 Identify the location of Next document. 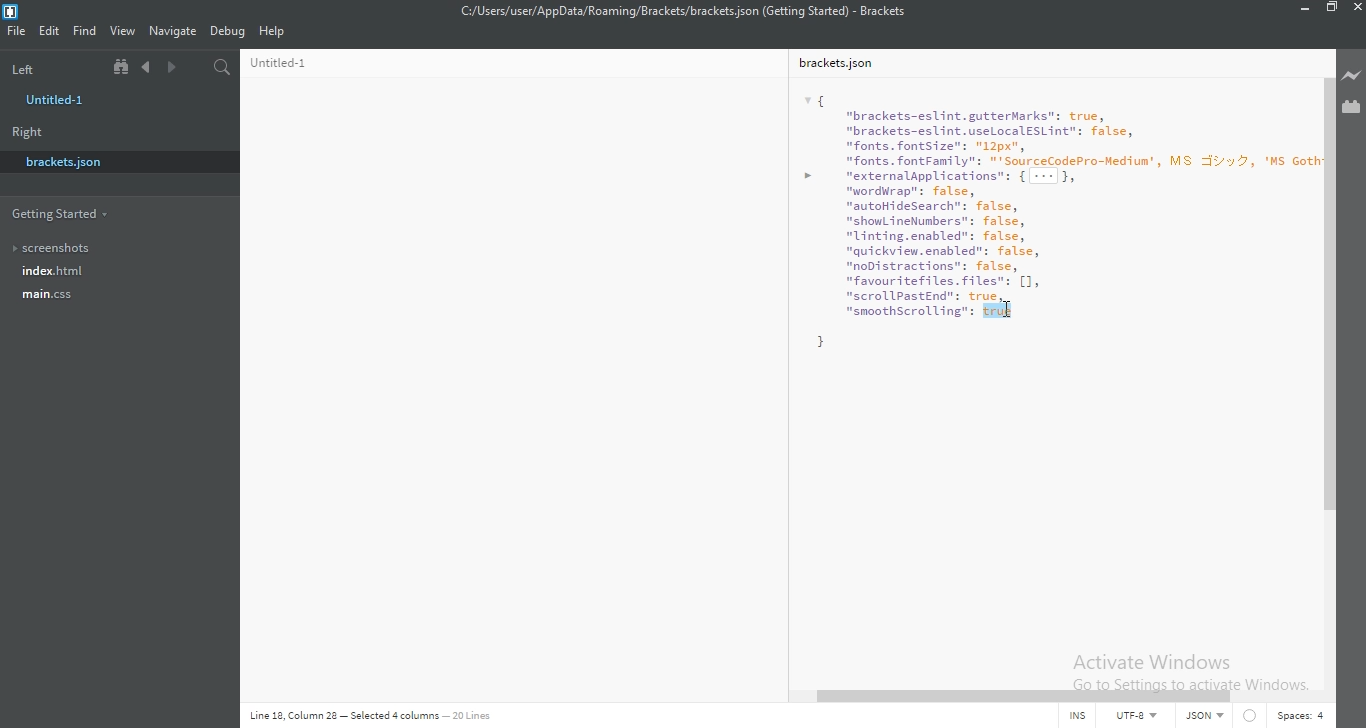
(172, 69).